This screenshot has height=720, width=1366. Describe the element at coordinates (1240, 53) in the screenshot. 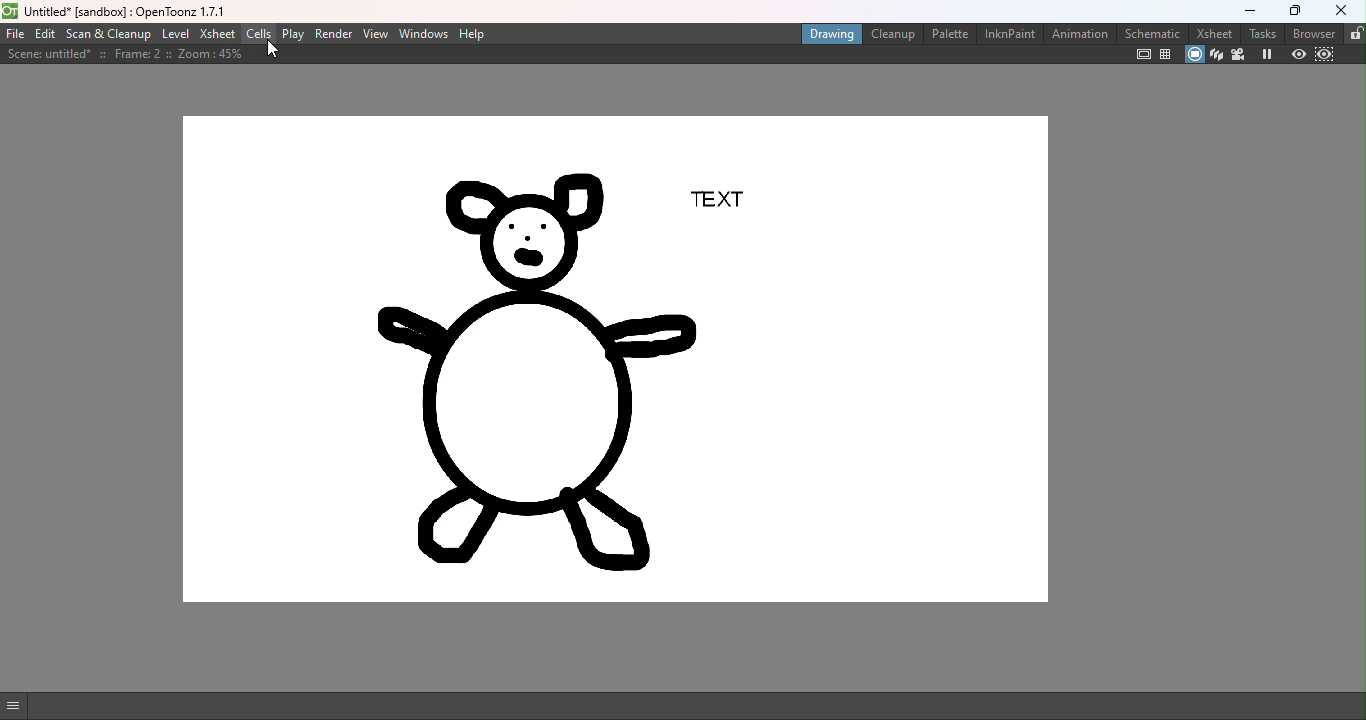

I see `Camera view` at that location.